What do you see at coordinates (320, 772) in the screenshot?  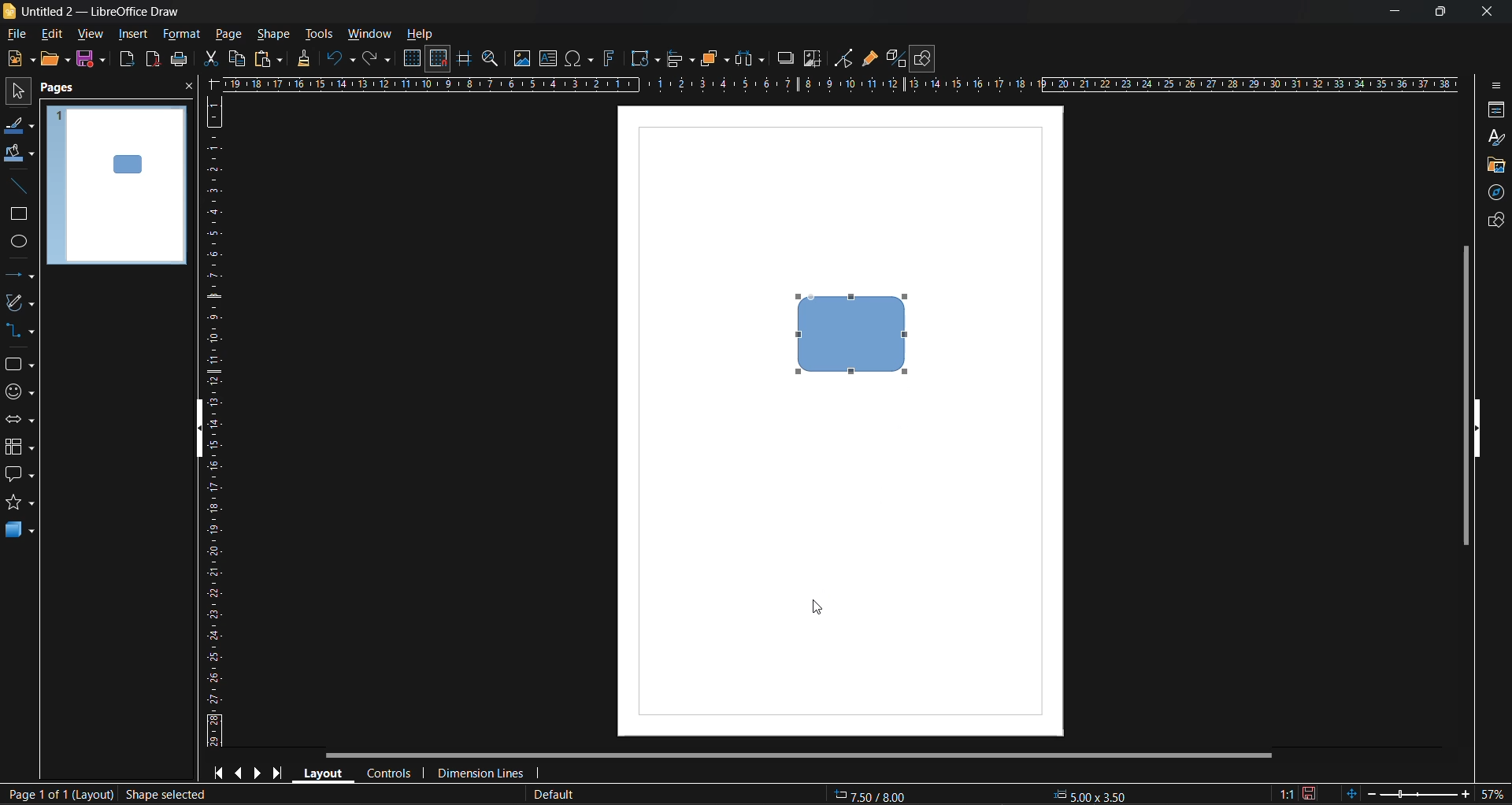 I see `layout` at bounding box center [320, 772].